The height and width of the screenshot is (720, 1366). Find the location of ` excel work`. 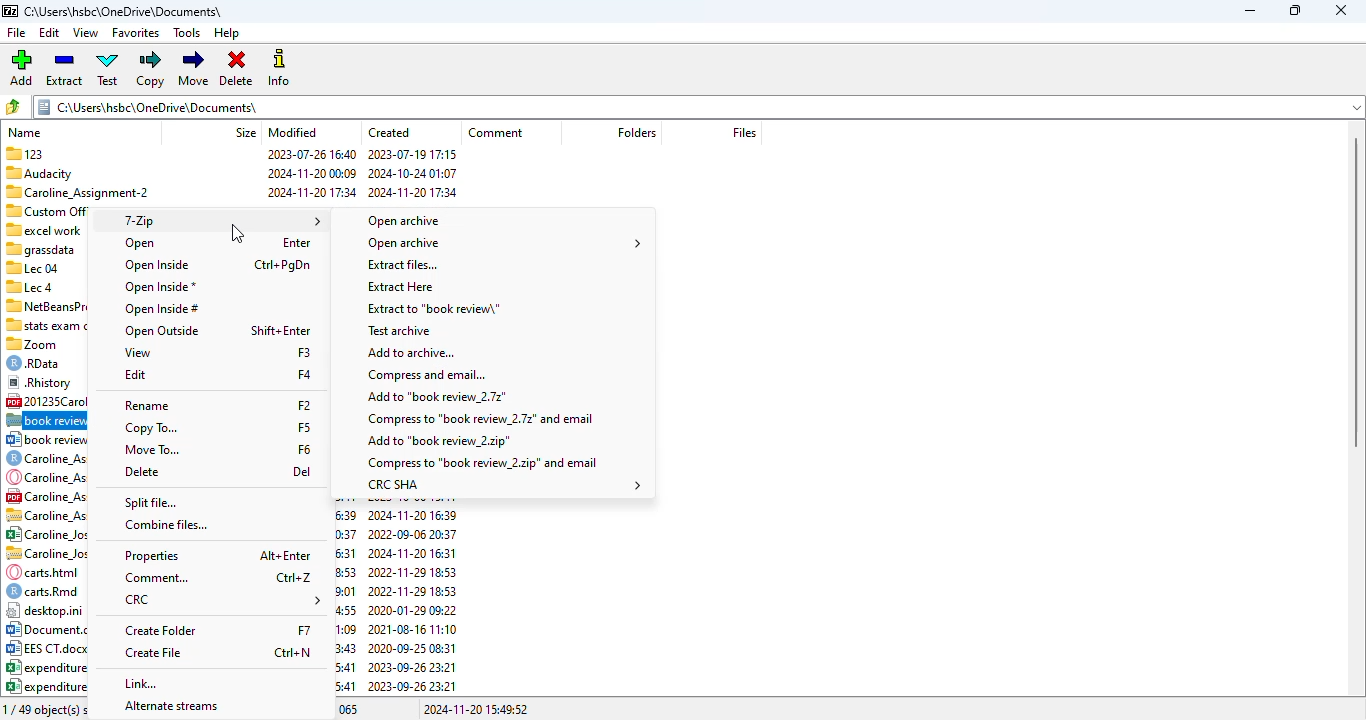

 excel work is located at coordinates (45, 228).